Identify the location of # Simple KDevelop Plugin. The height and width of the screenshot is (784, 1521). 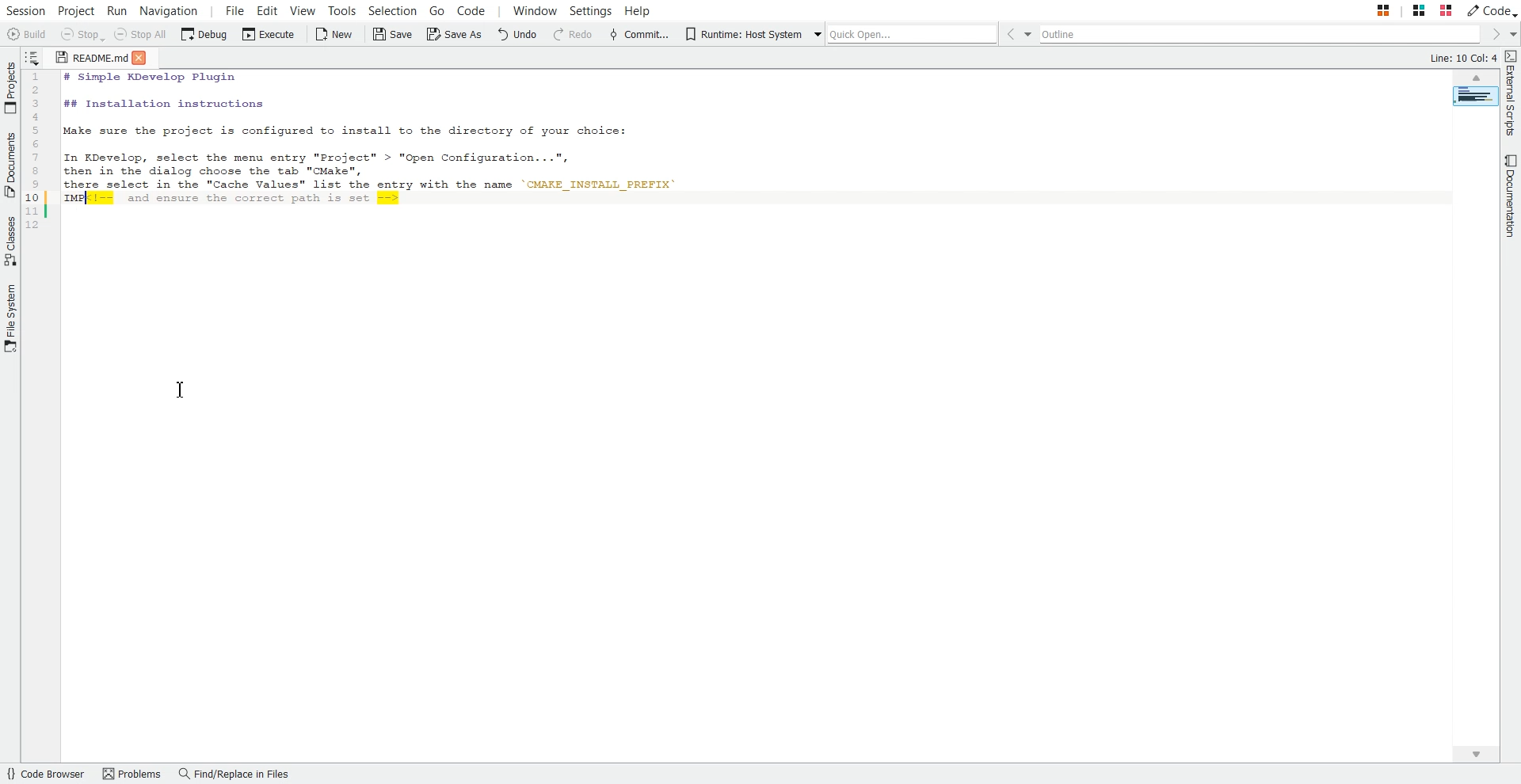
(147, 78).